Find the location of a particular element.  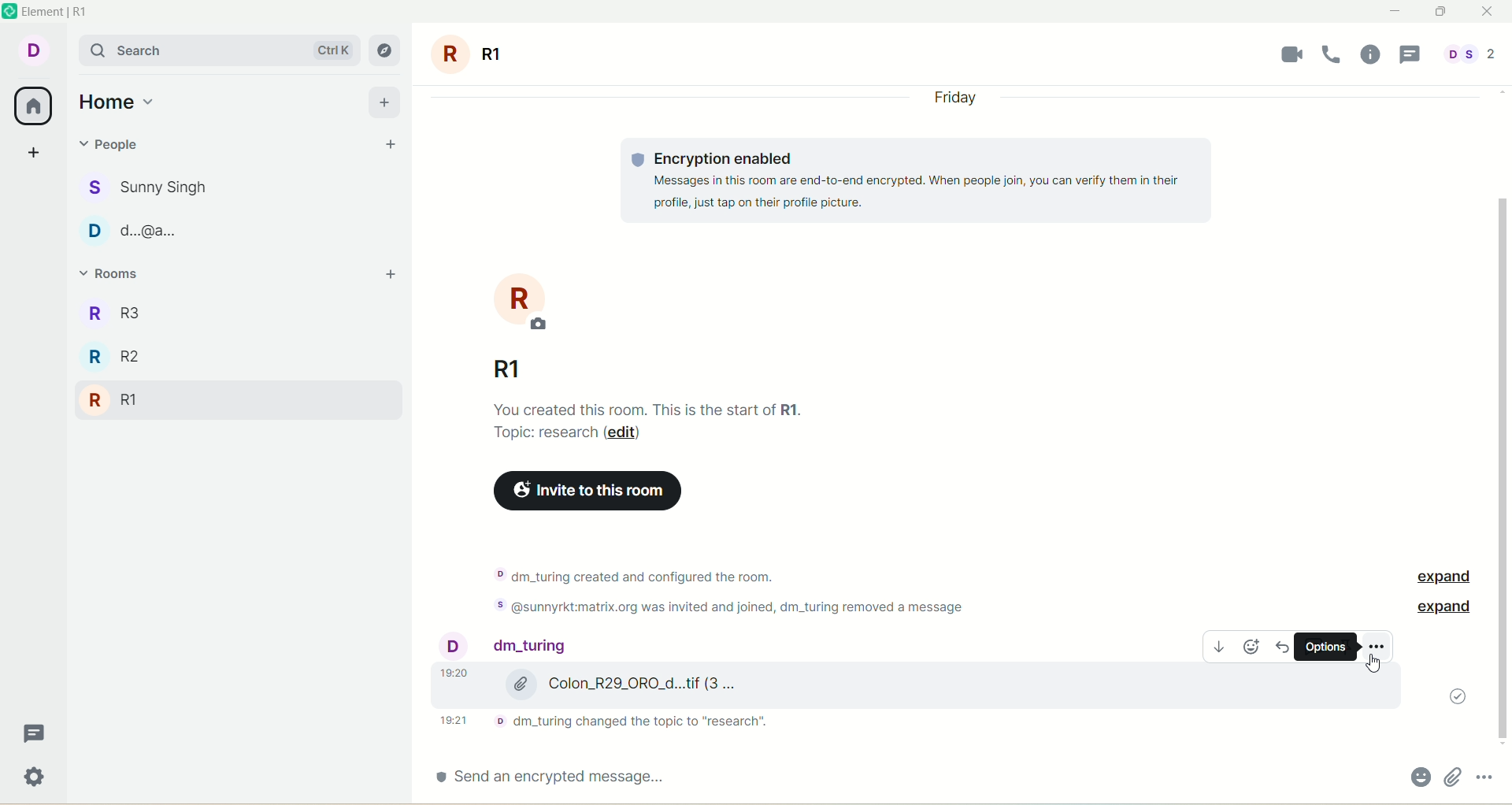

people is located at coordinates (1469, 57).